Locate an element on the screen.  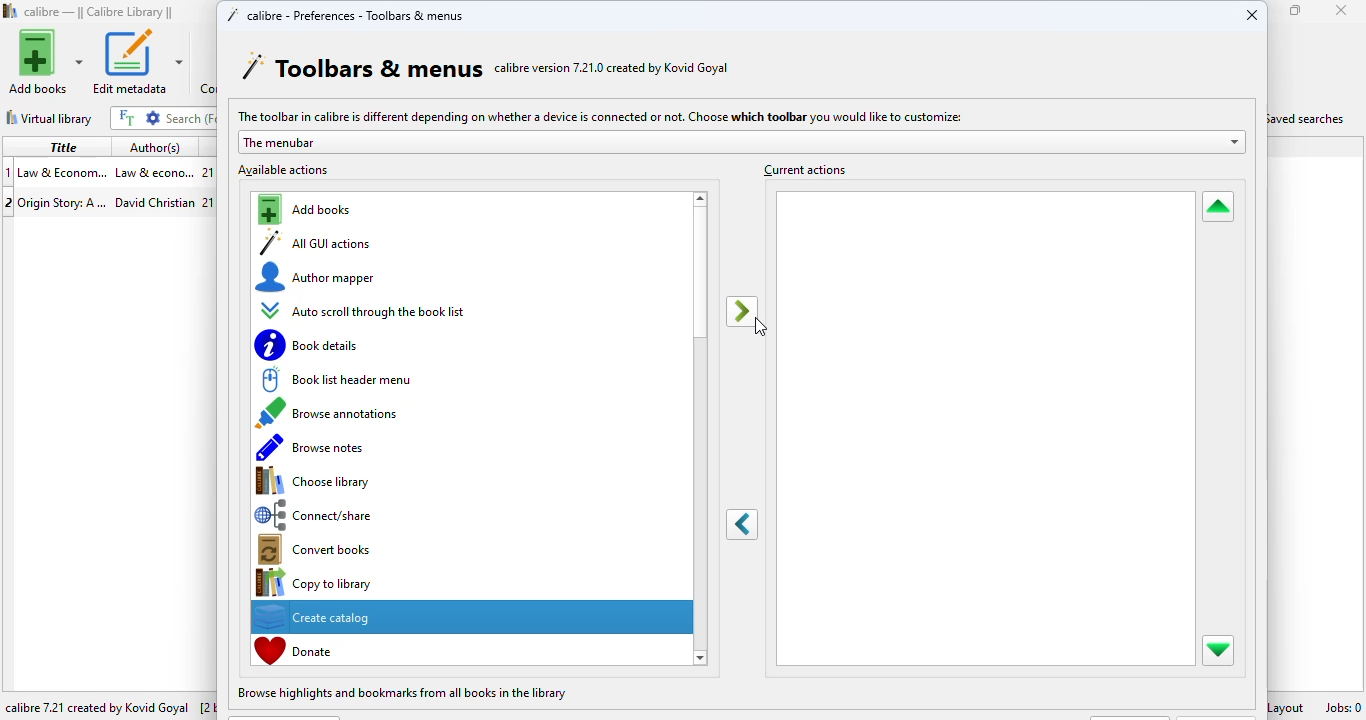
move selected action down is located at coordinates (1218, 650).